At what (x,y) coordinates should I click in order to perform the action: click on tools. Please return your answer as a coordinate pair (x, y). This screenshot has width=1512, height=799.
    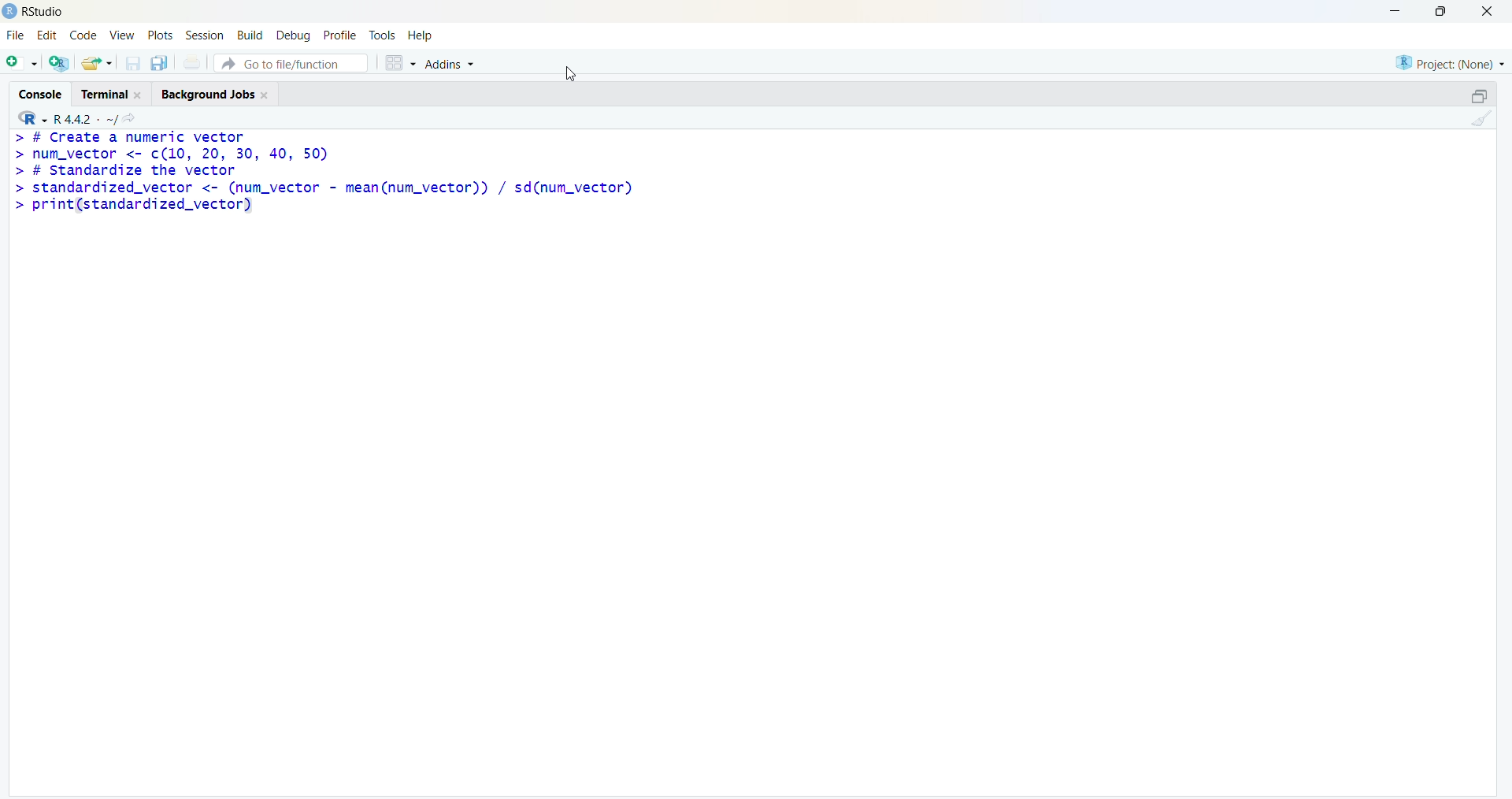
    Looking at the image, I should click on (383, 35).